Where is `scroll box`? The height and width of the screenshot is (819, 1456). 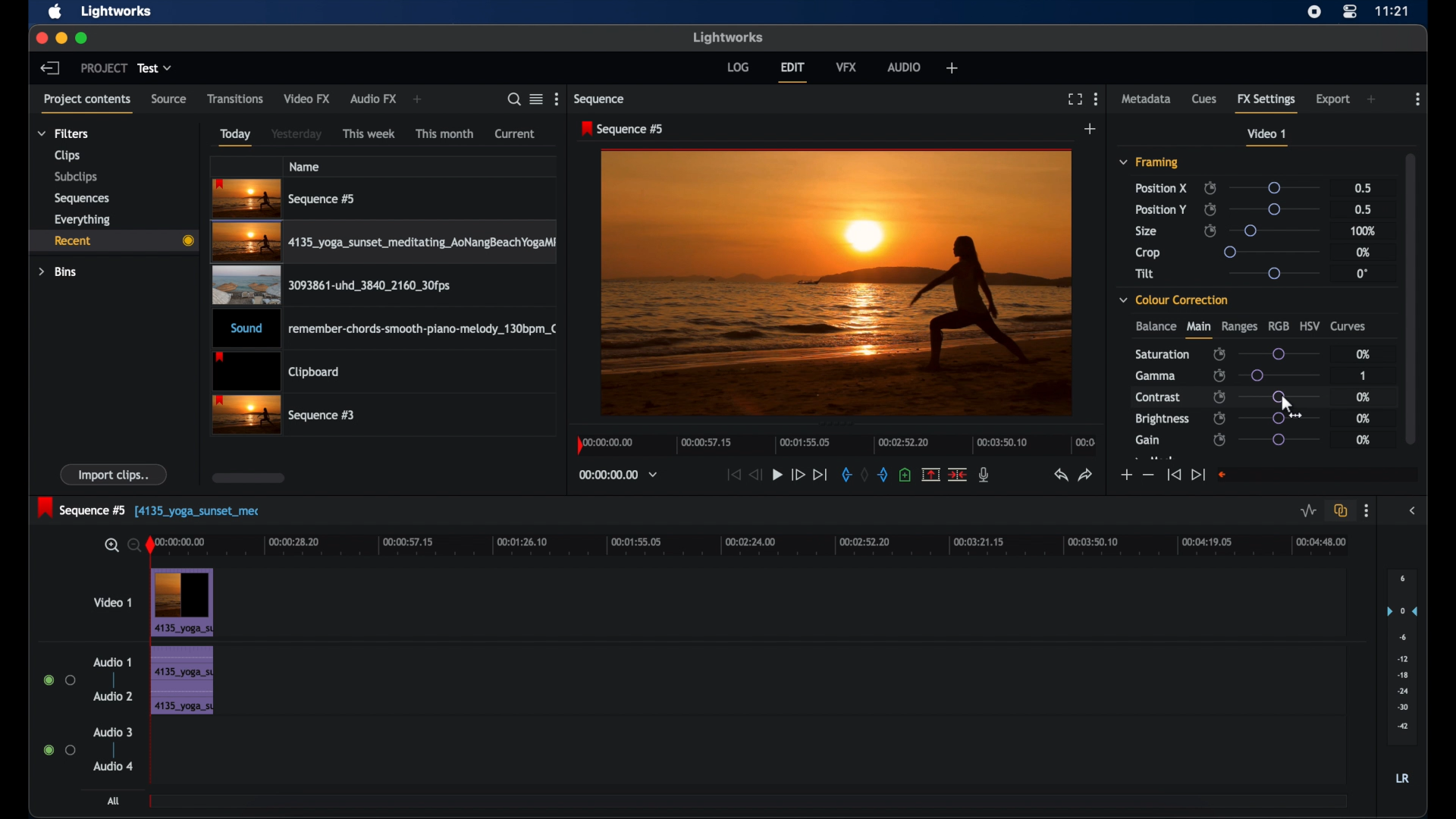 scroll box is located at coordinates (249, 478).